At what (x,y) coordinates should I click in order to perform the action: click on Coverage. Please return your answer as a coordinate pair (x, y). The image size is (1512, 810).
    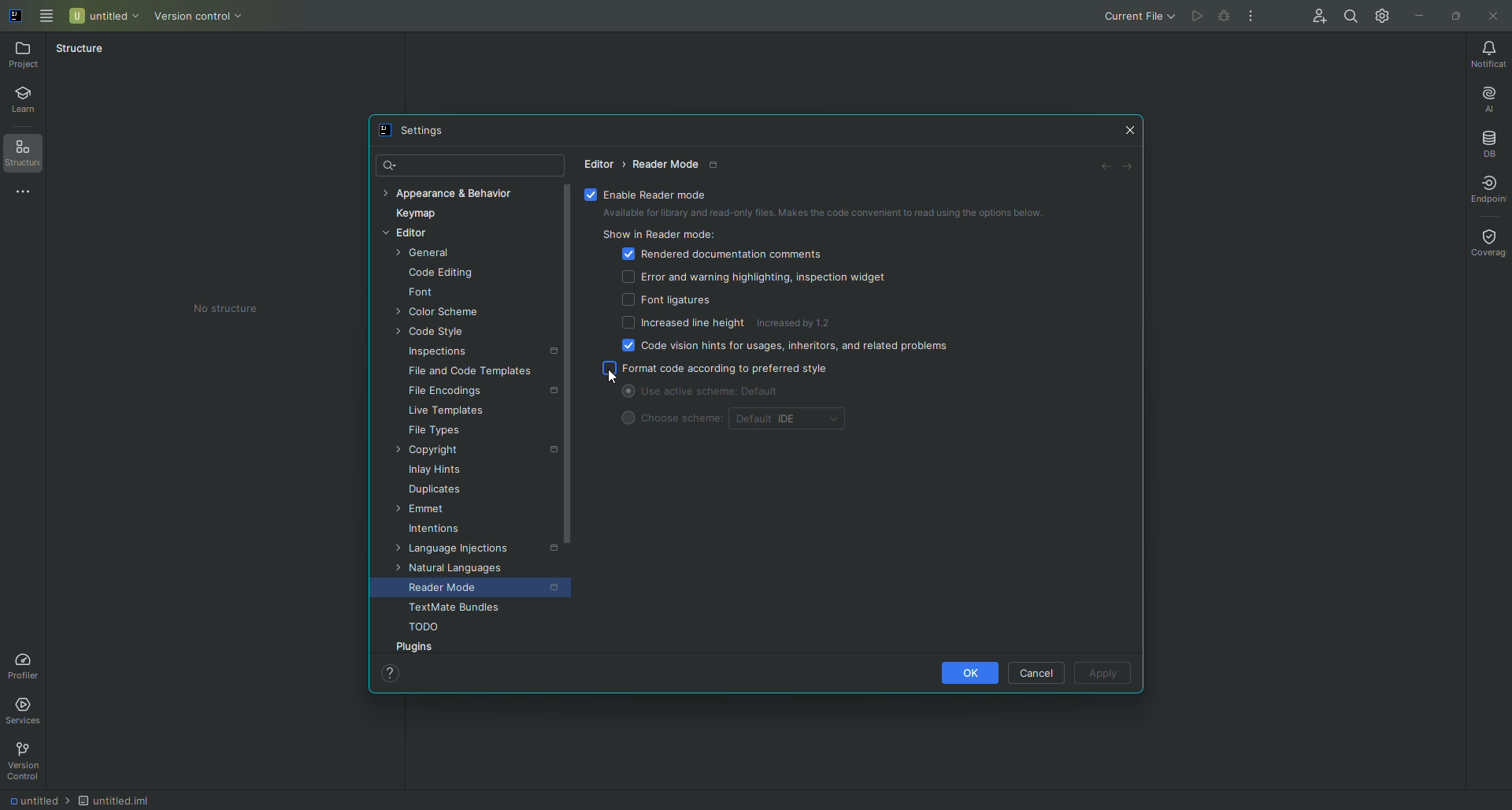
    Looking at the image, I should click on (1486, 243).